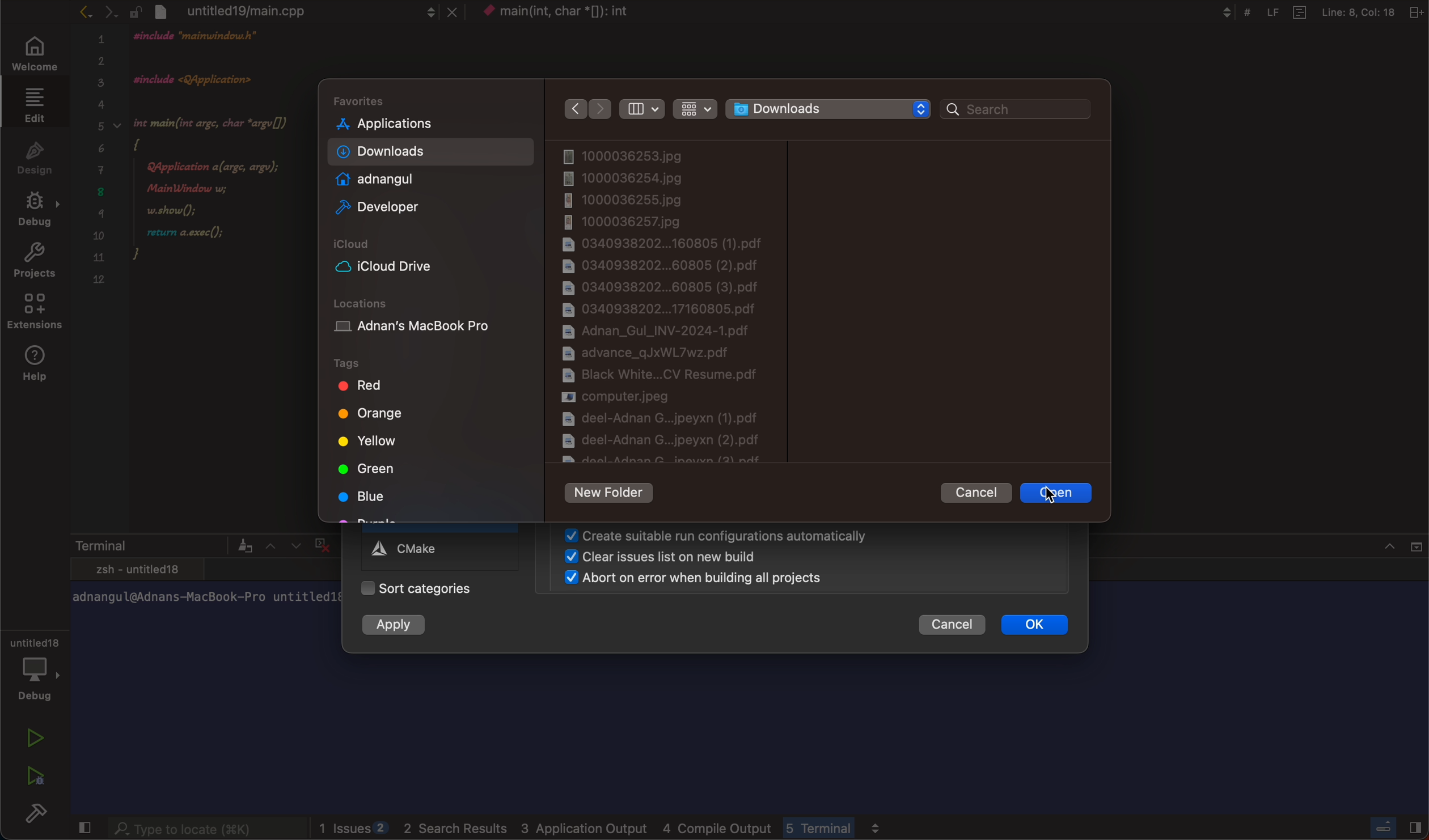 This screenshot has height=840, width=1429. I want to click on projects, so click(32, 258).